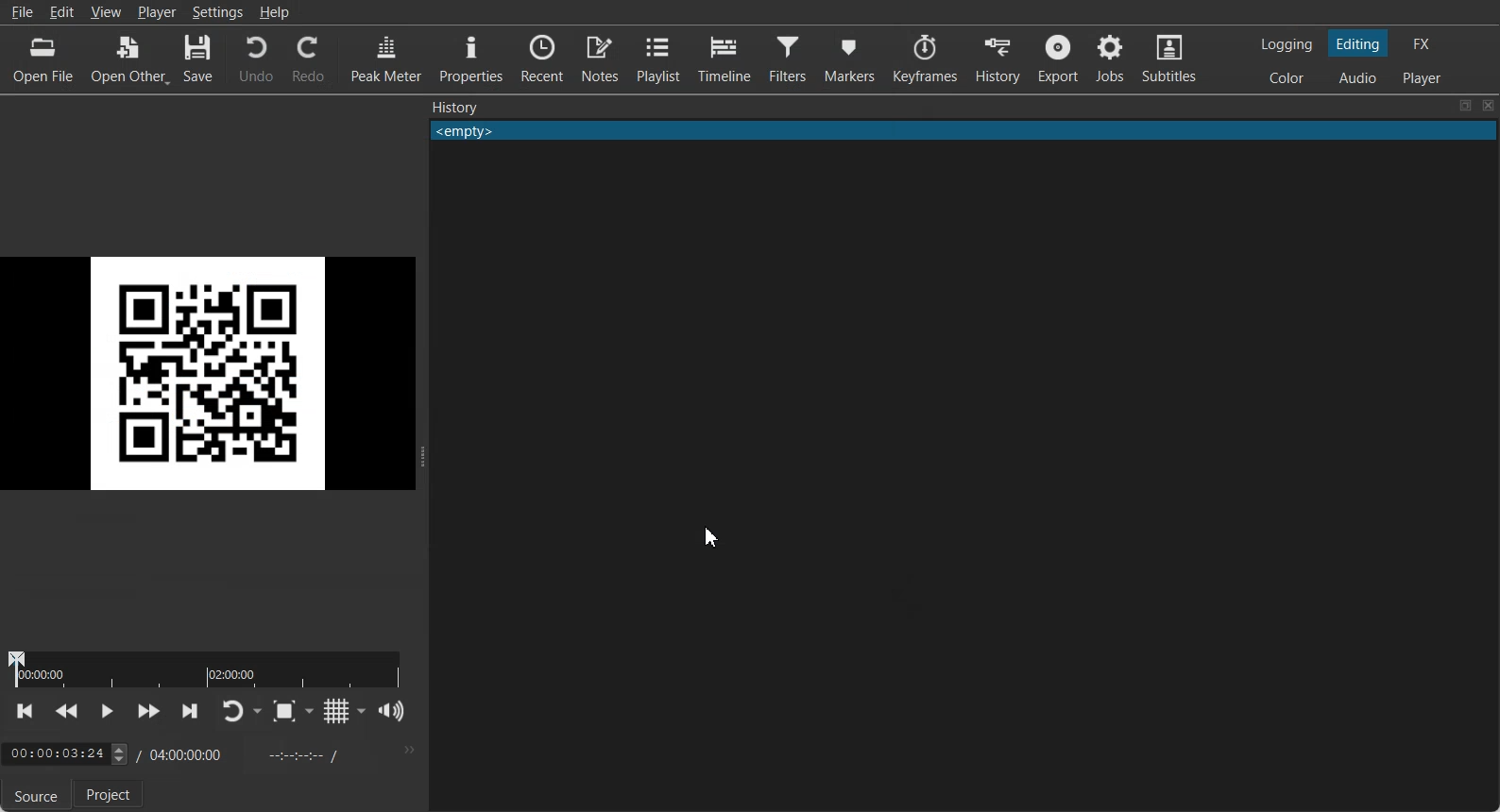  What do you see at coordinates (1169, 57) in the screenshot?
I see `Subtitles` at bounding box center [1169, 57].